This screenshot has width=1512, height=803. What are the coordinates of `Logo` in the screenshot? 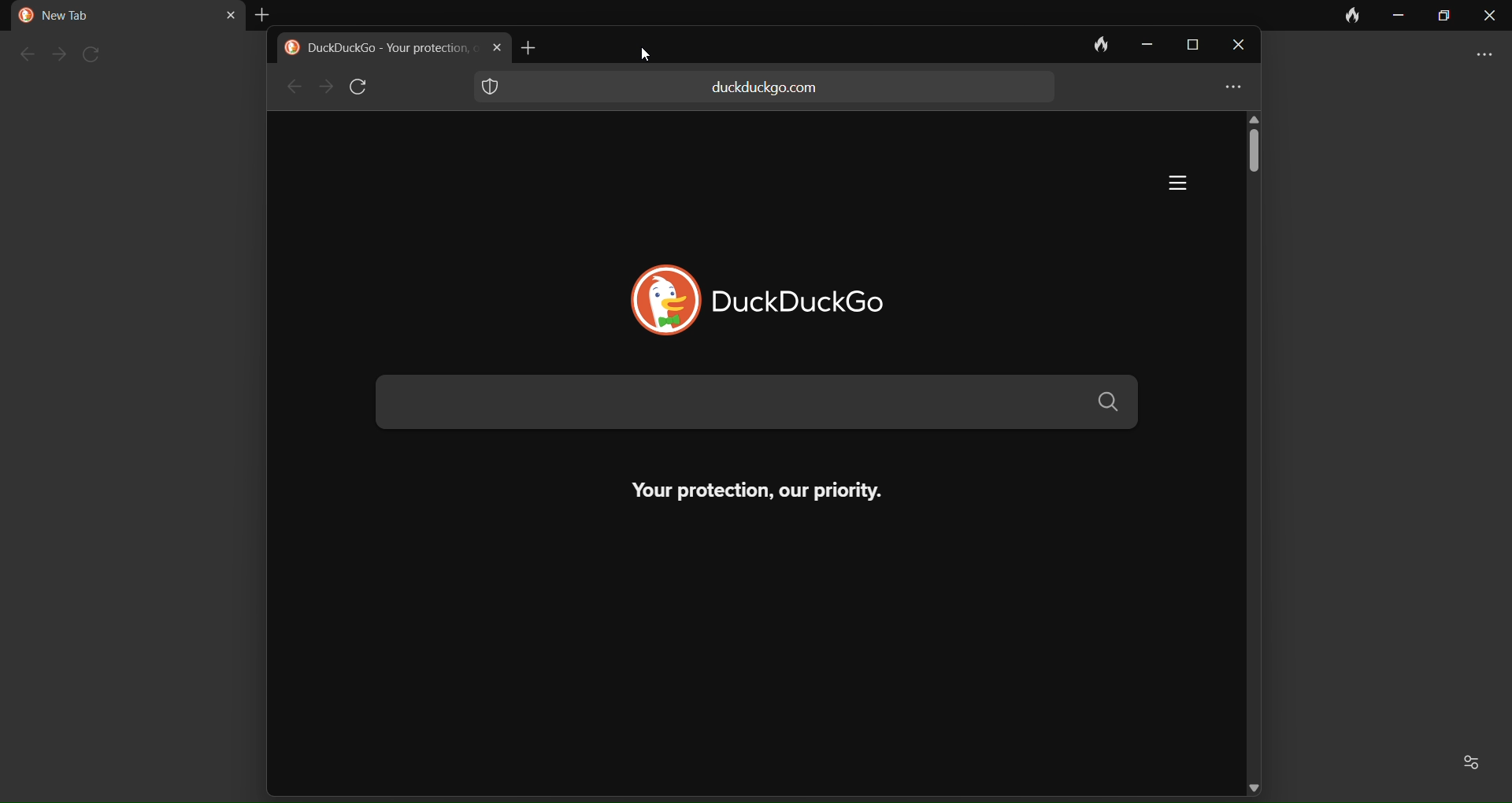 It's located at (20, 16).